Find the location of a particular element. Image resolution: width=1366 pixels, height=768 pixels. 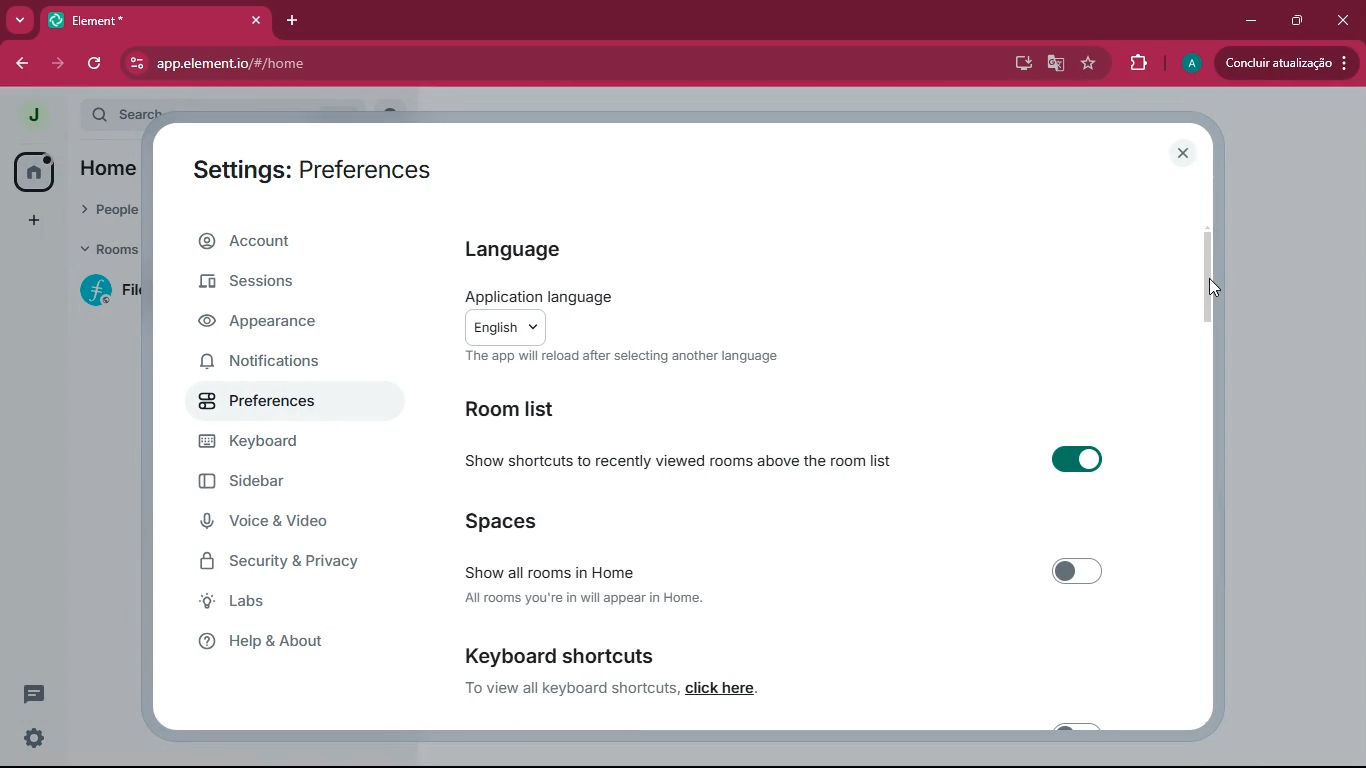

english is located at coordinates (505, 327).